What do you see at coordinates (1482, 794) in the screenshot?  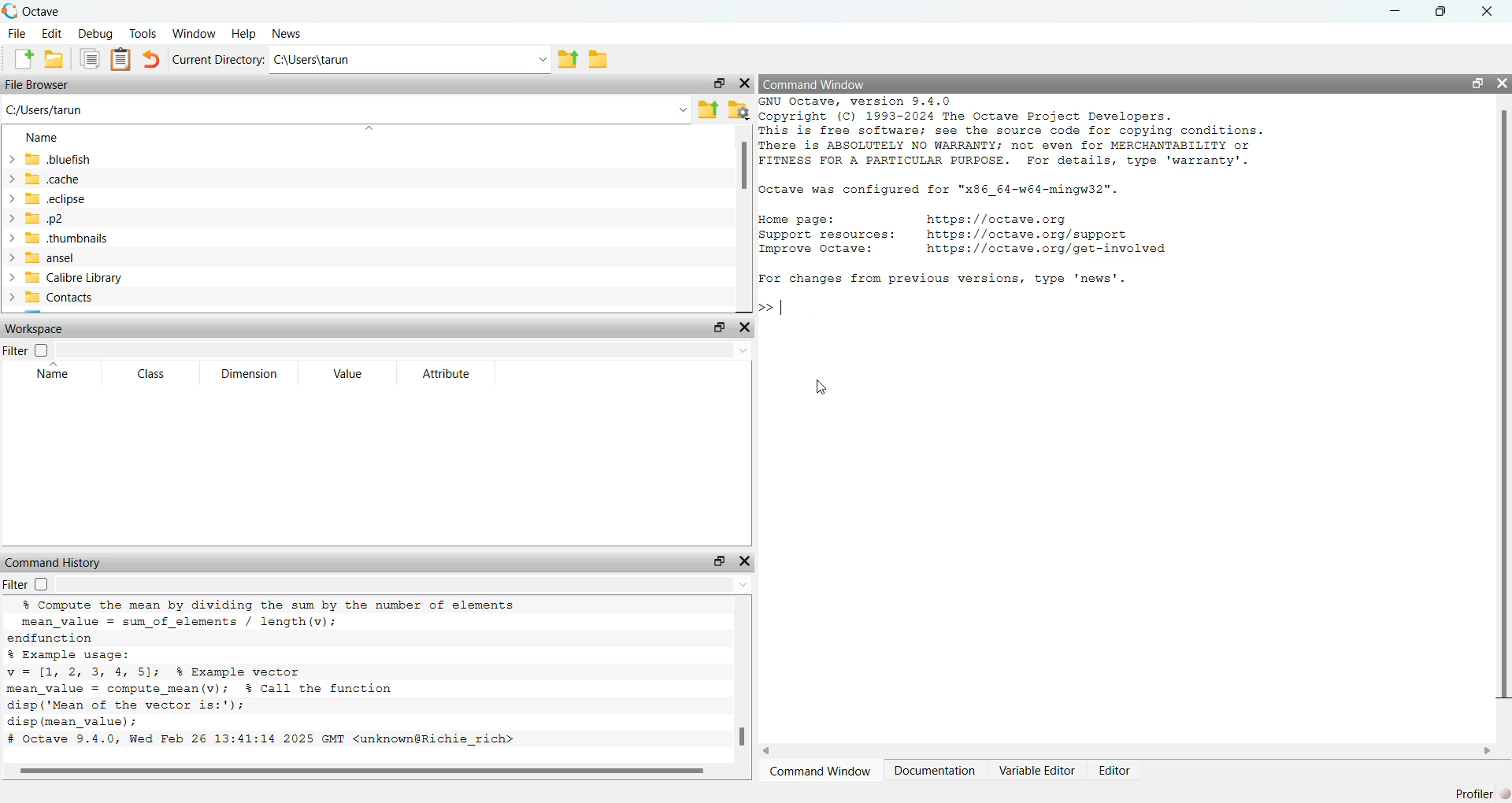 I see `Profiler` at bounding box center [1482, 794].